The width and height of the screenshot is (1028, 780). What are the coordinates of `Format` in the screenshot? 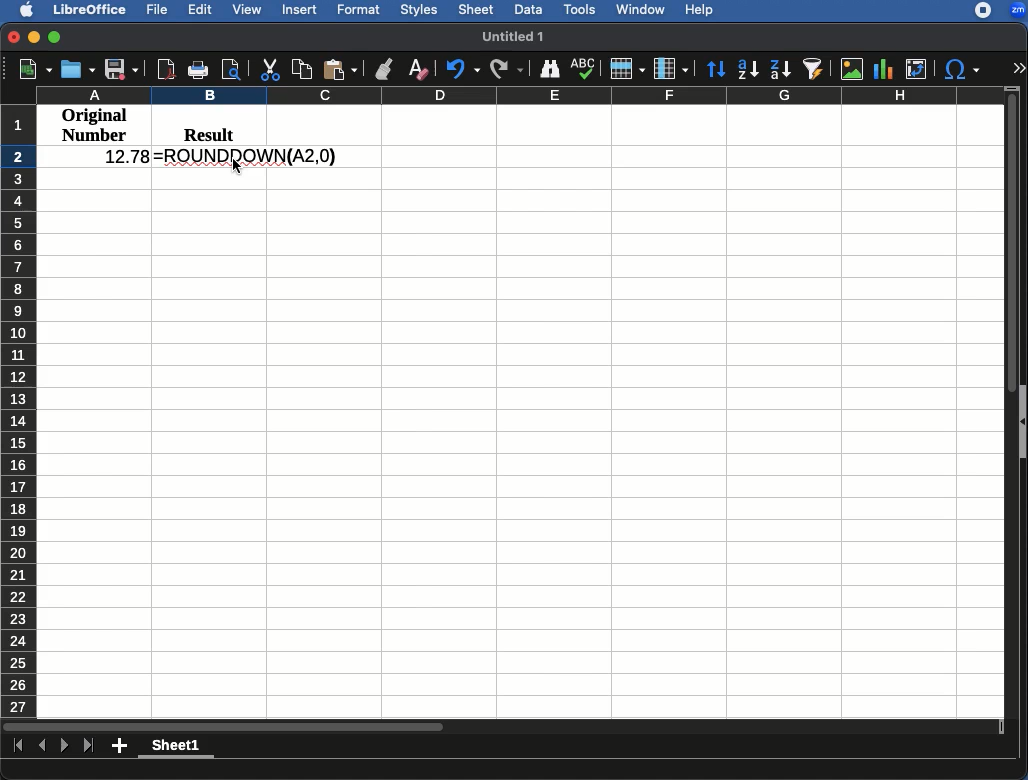 It's located at (359, 9).